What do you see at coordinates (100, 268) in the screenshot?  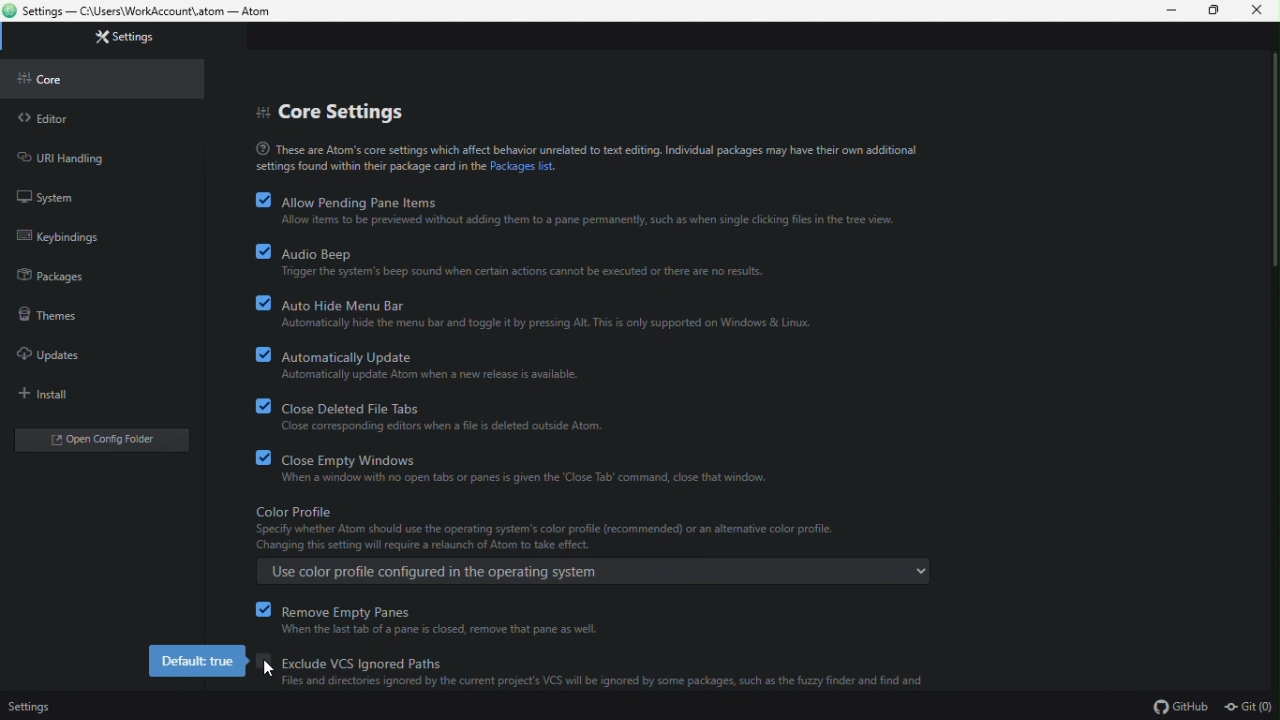 I see `Packages` at bounding box center [100, 268].